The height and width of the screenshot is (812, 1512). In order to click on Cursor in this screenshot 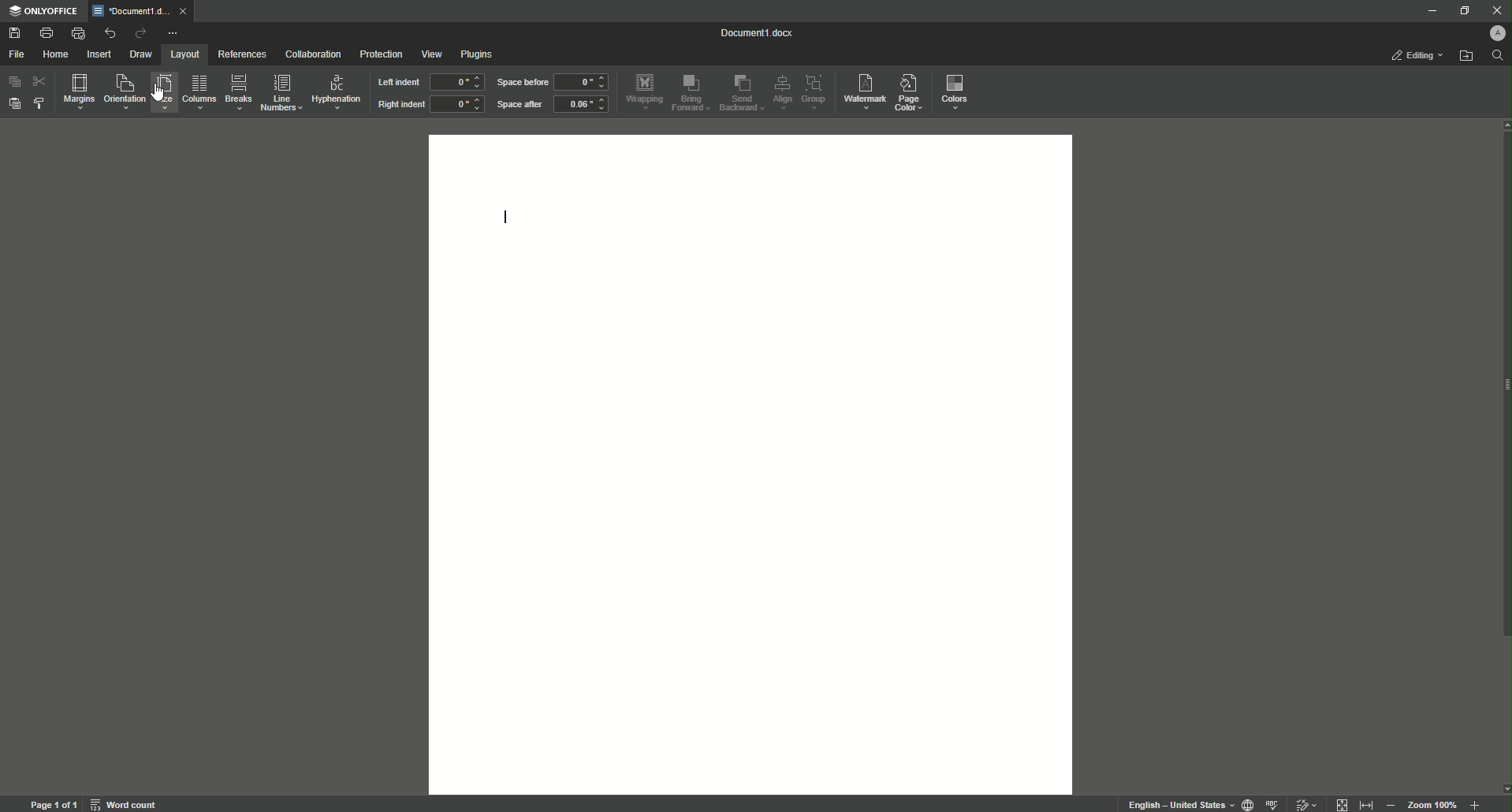, I will do `click(159, 93)`.